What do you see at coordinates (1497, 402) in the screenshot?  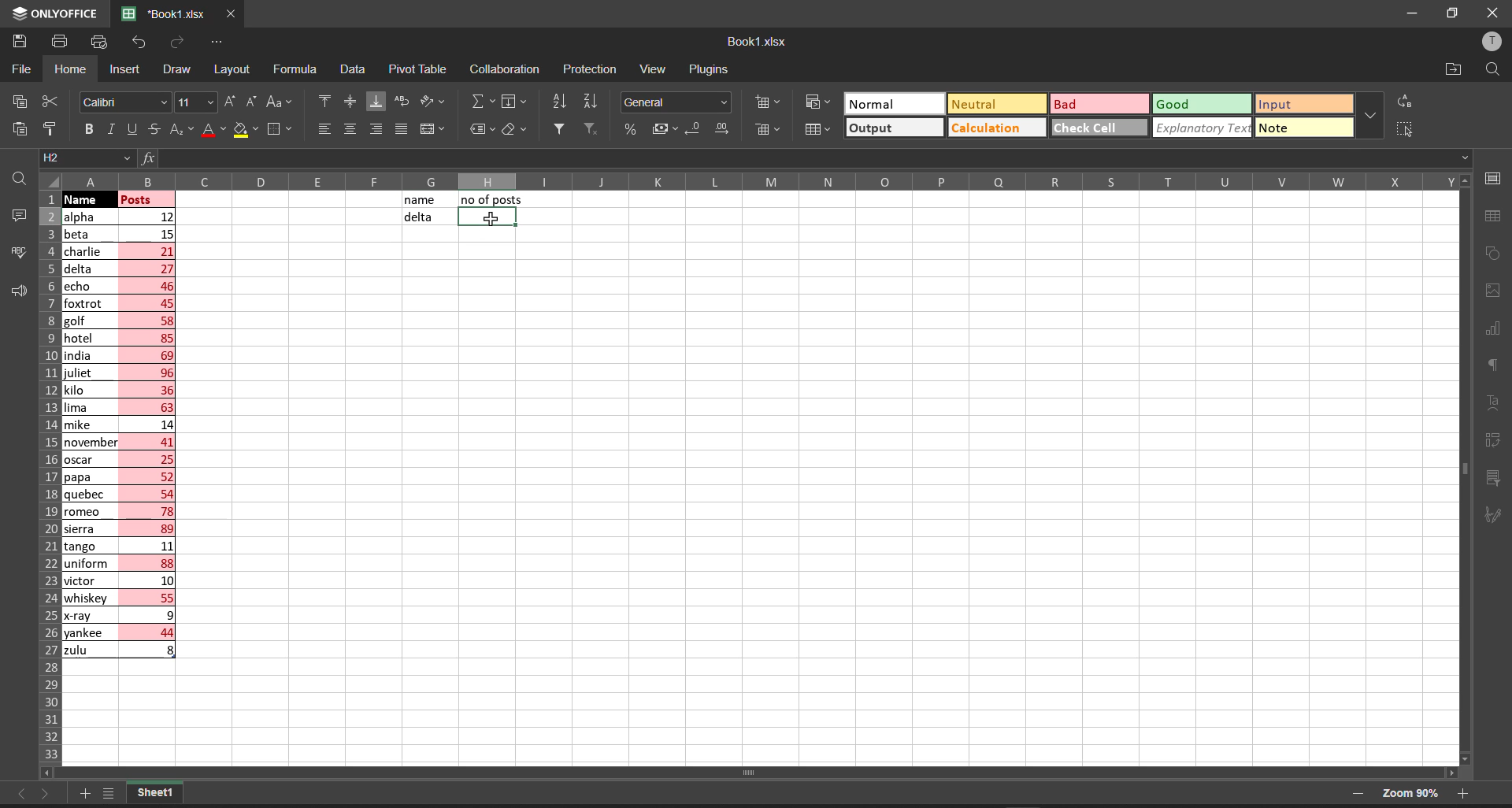 I see `text settings` at bounding box center [1497, 402].